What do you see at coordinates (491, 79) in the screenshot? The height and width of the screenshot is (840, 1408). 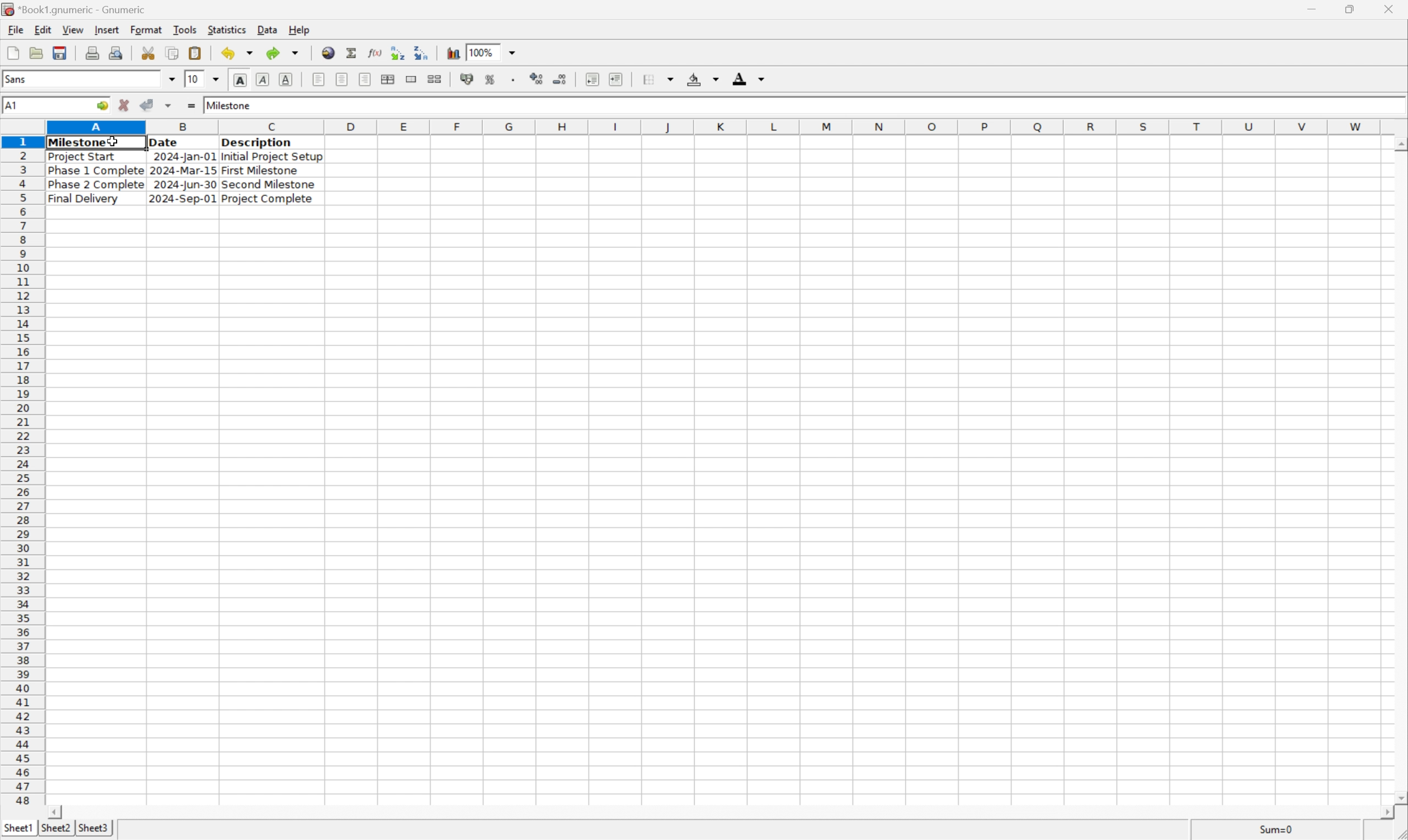 I see `format selection as percentage` at bounding box center [491, 79].